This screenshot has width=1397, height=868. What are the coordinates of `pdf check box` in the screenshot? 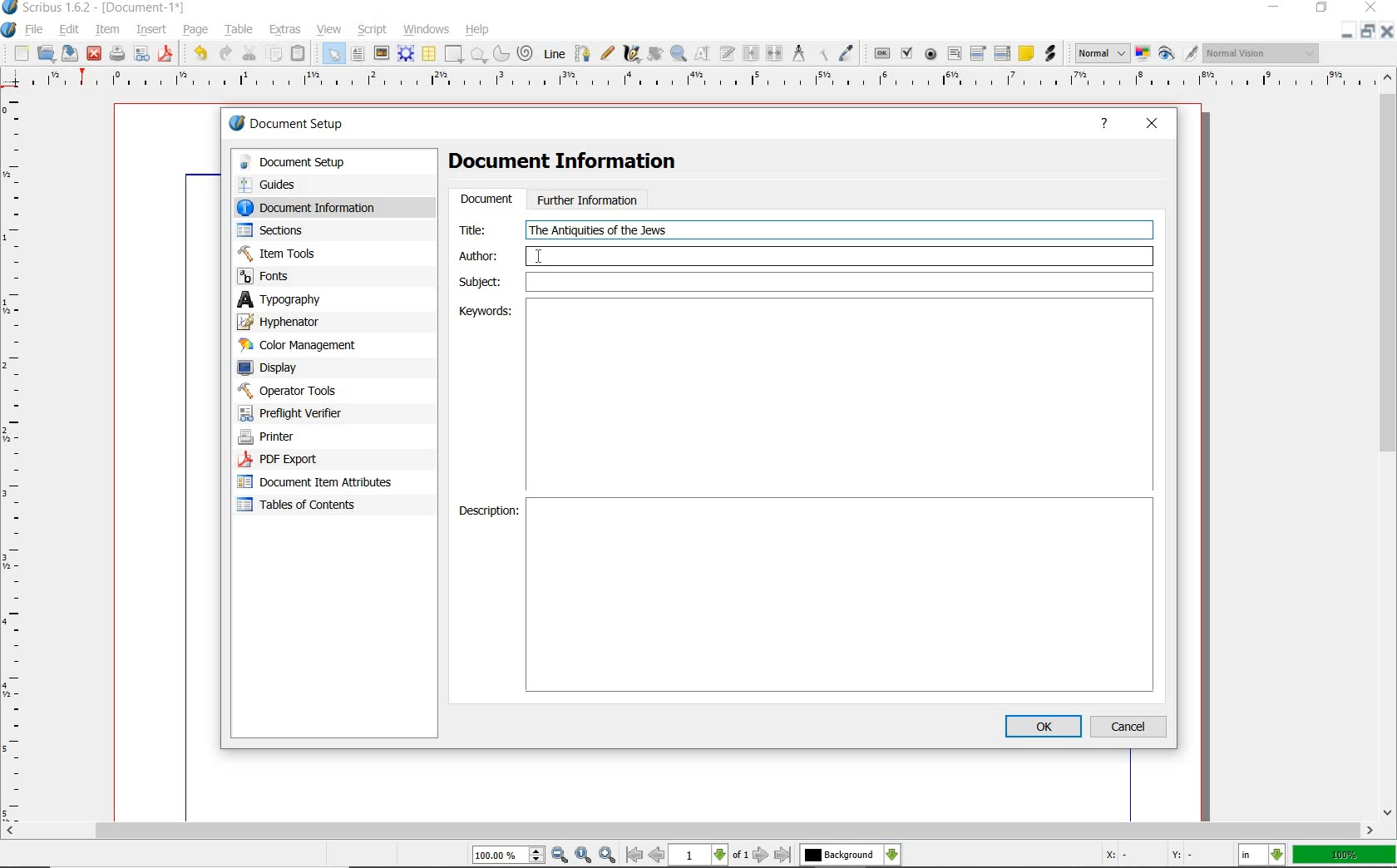 It's located at (908, 52).